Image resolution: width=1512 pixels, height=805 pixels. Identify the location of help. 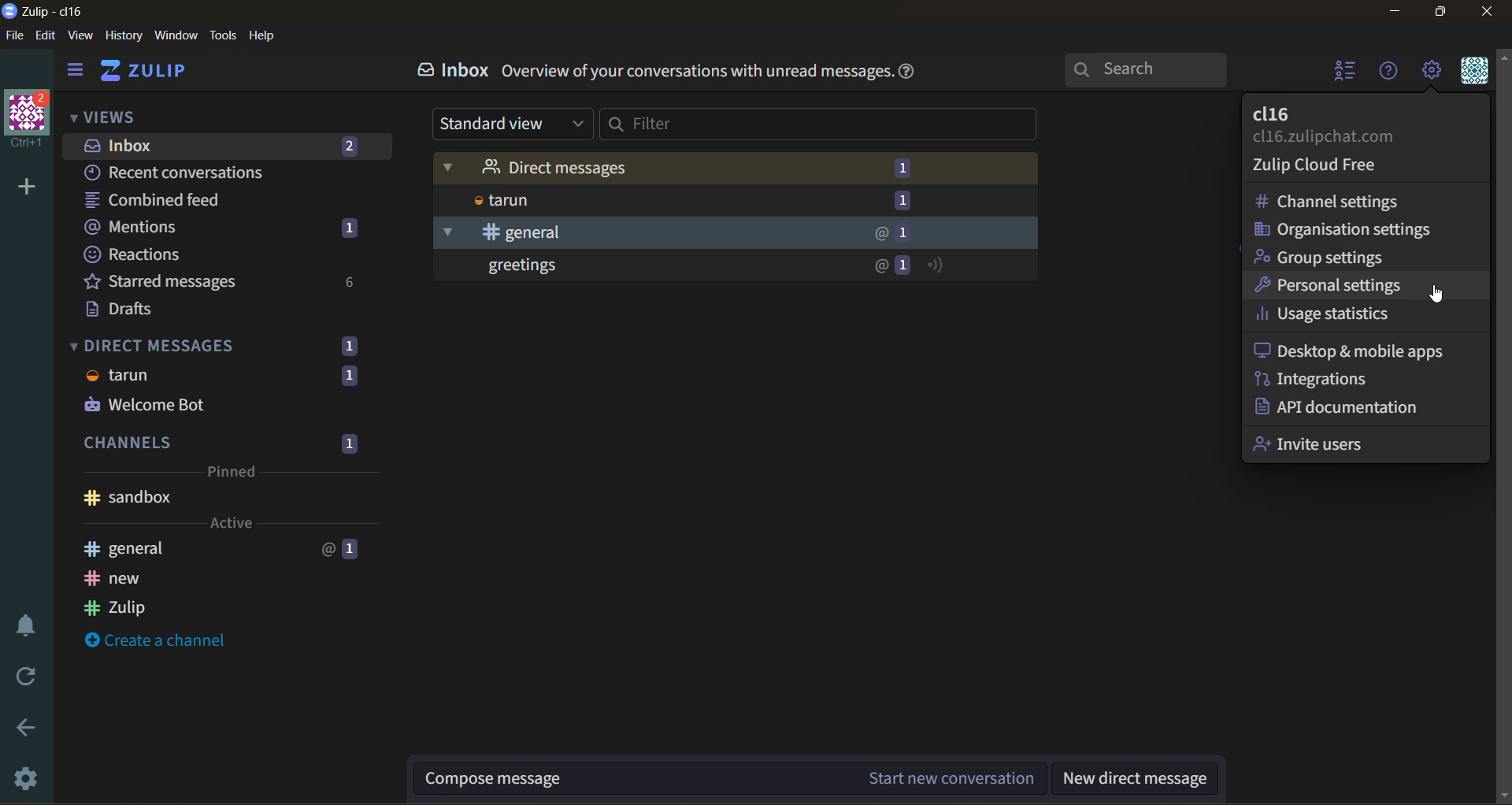
(269, 37).